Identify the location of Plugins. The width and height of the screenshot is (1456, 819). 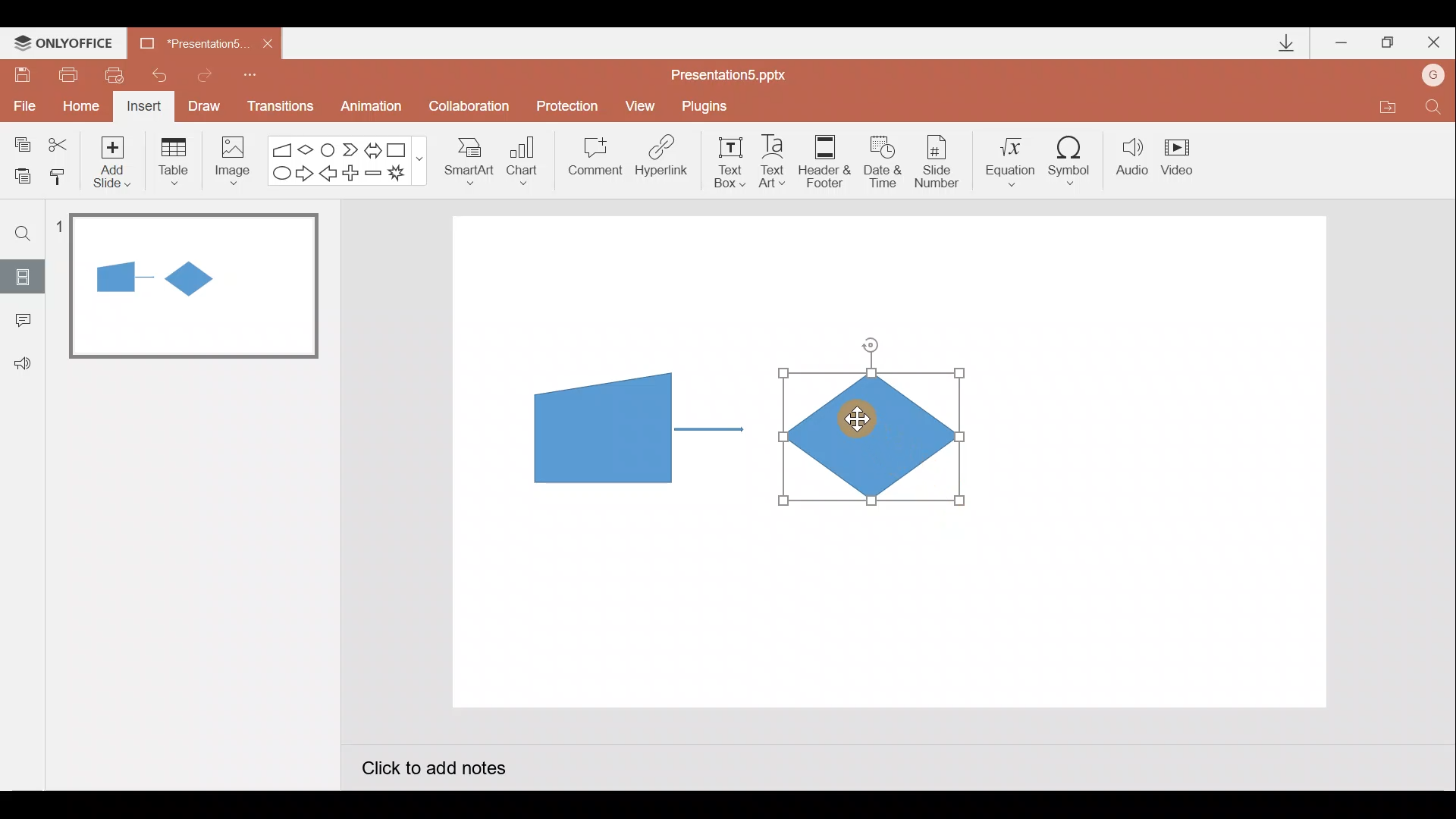
(708, 106).